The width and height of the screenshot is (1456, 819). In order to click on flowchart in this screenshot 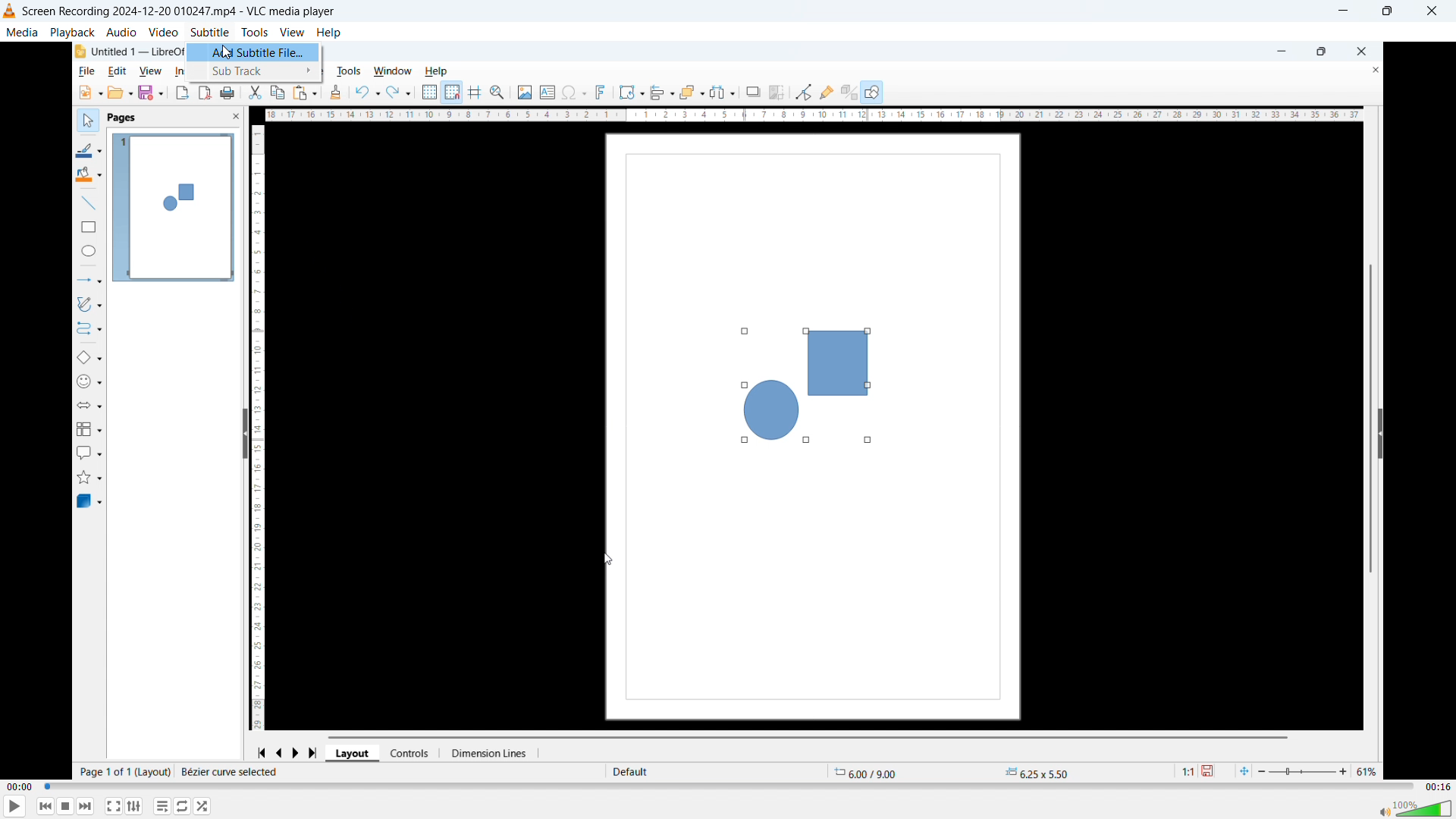, I will do `click(89, 428)`.